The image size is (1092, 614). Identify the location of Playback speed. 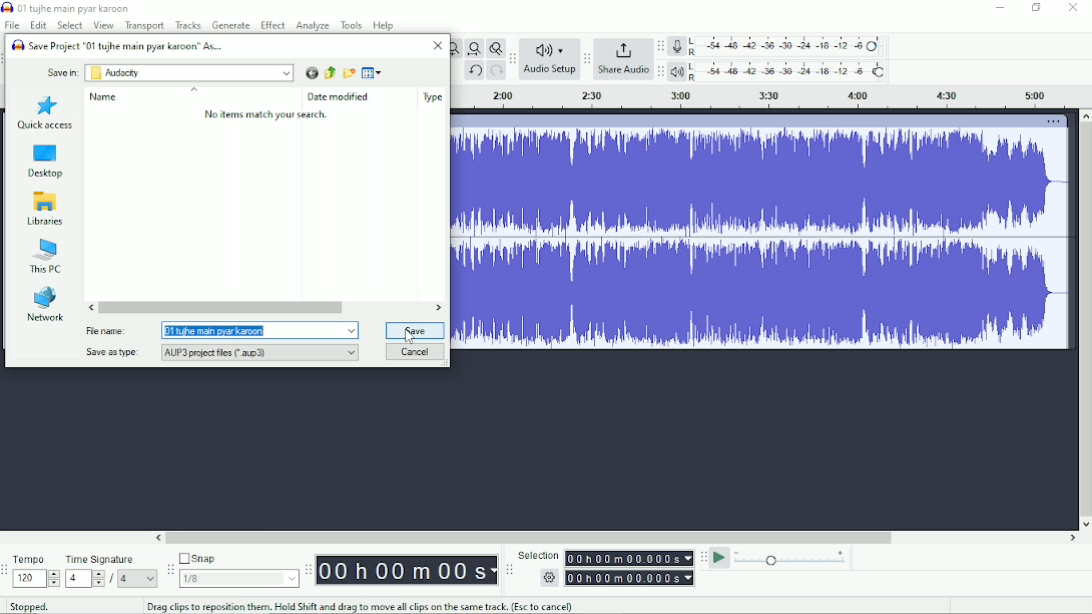
(792, 558).